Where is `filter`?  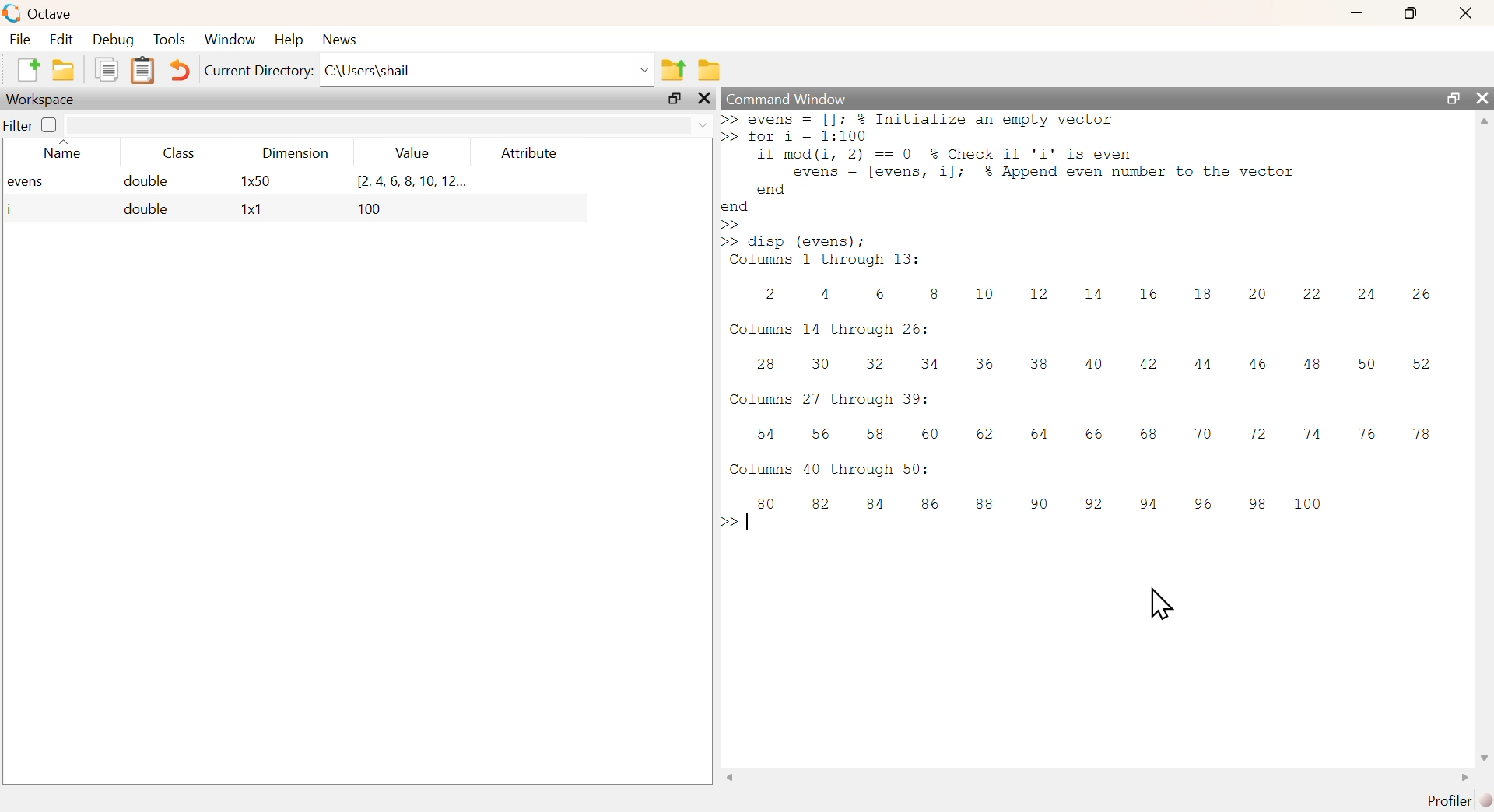 filter is located at coordinates (18, 124).